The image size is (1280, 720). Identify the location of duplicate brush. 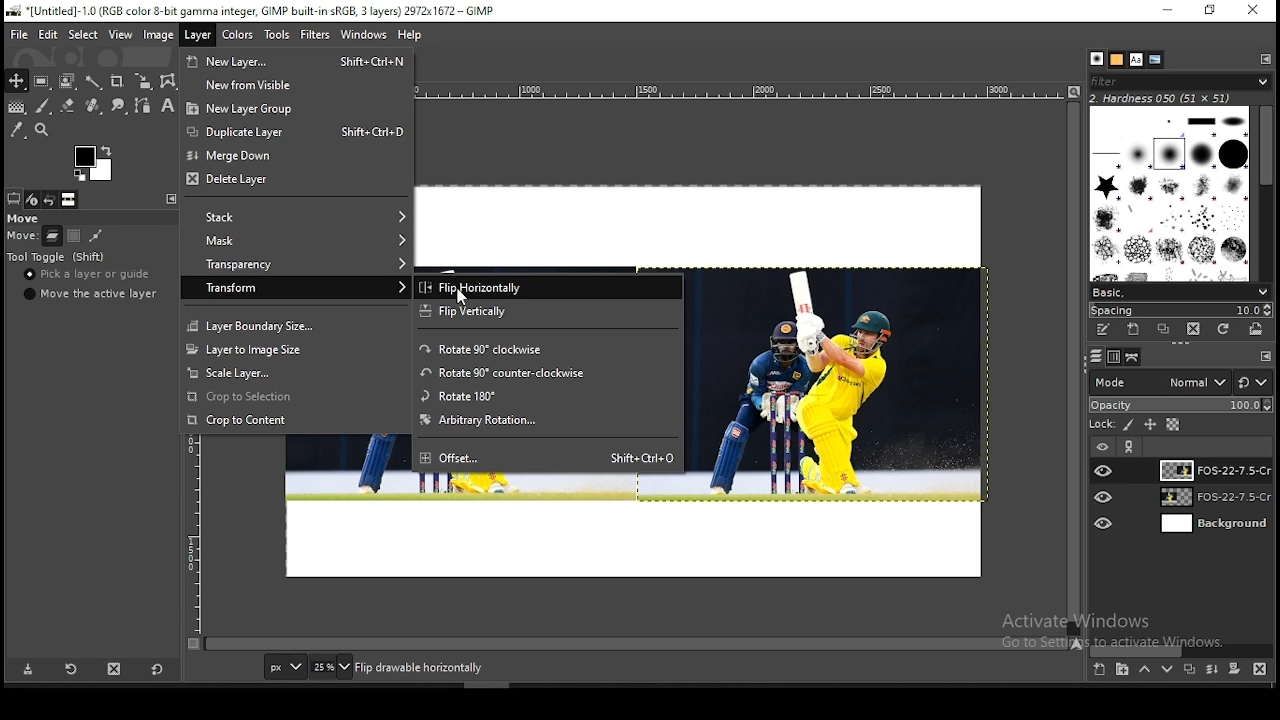
(1164, 329).